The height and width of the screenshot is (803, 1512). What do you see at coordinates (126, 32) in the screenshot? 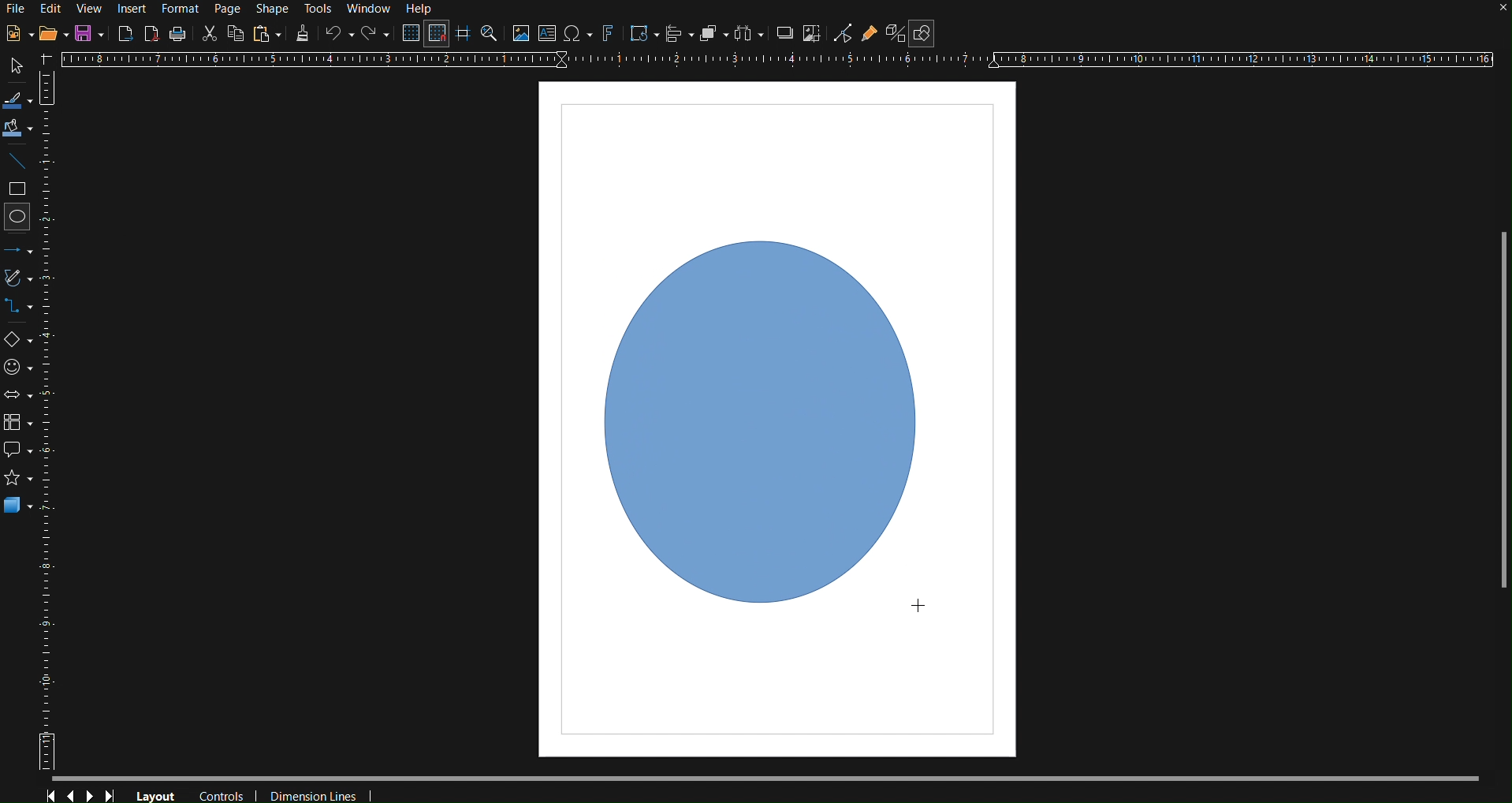
I see `Export` at bounding box center [126, 32].